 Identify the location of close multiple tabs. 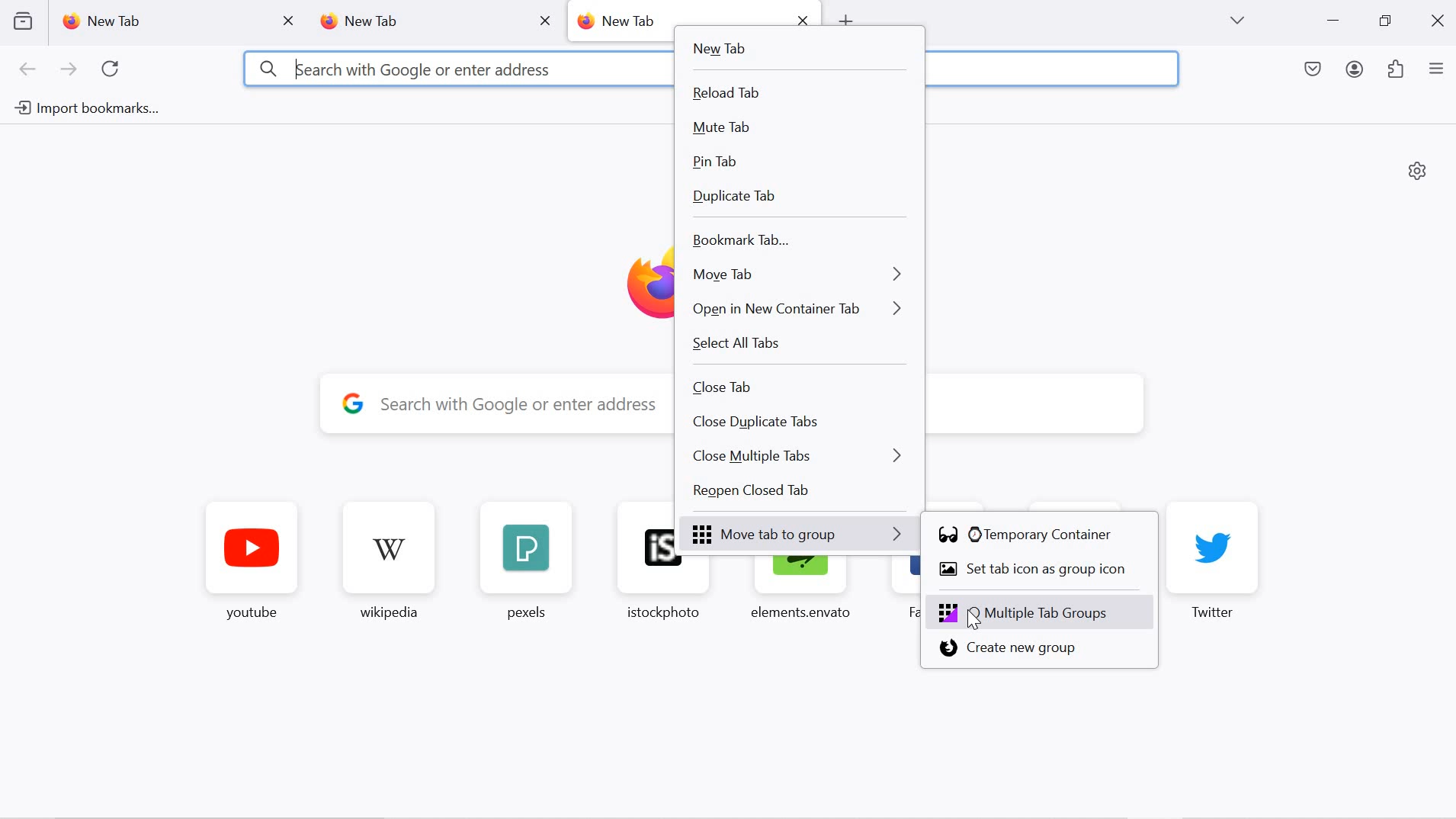
(800, 457).